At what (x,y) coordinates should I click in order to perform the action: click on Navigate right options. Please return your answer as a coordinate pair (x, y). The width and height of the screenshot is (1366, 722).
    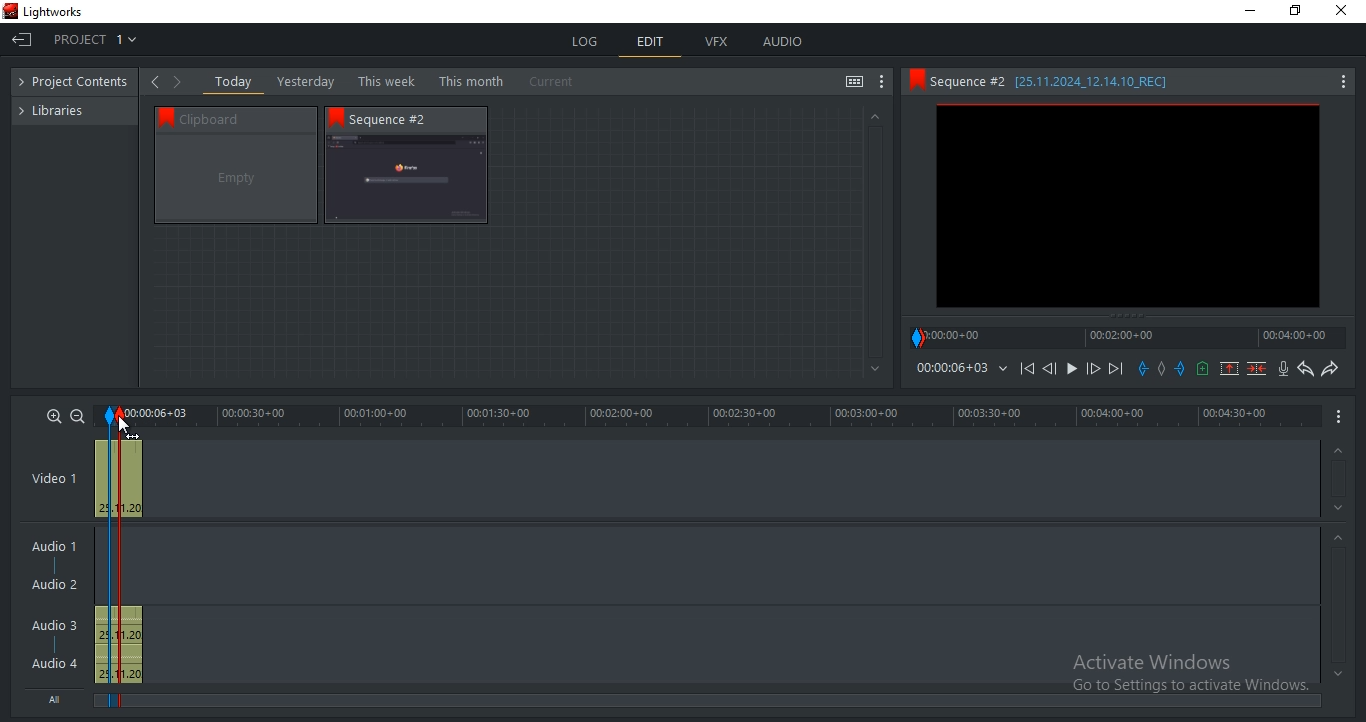
    Looking at the image, I should click on (181, 82).